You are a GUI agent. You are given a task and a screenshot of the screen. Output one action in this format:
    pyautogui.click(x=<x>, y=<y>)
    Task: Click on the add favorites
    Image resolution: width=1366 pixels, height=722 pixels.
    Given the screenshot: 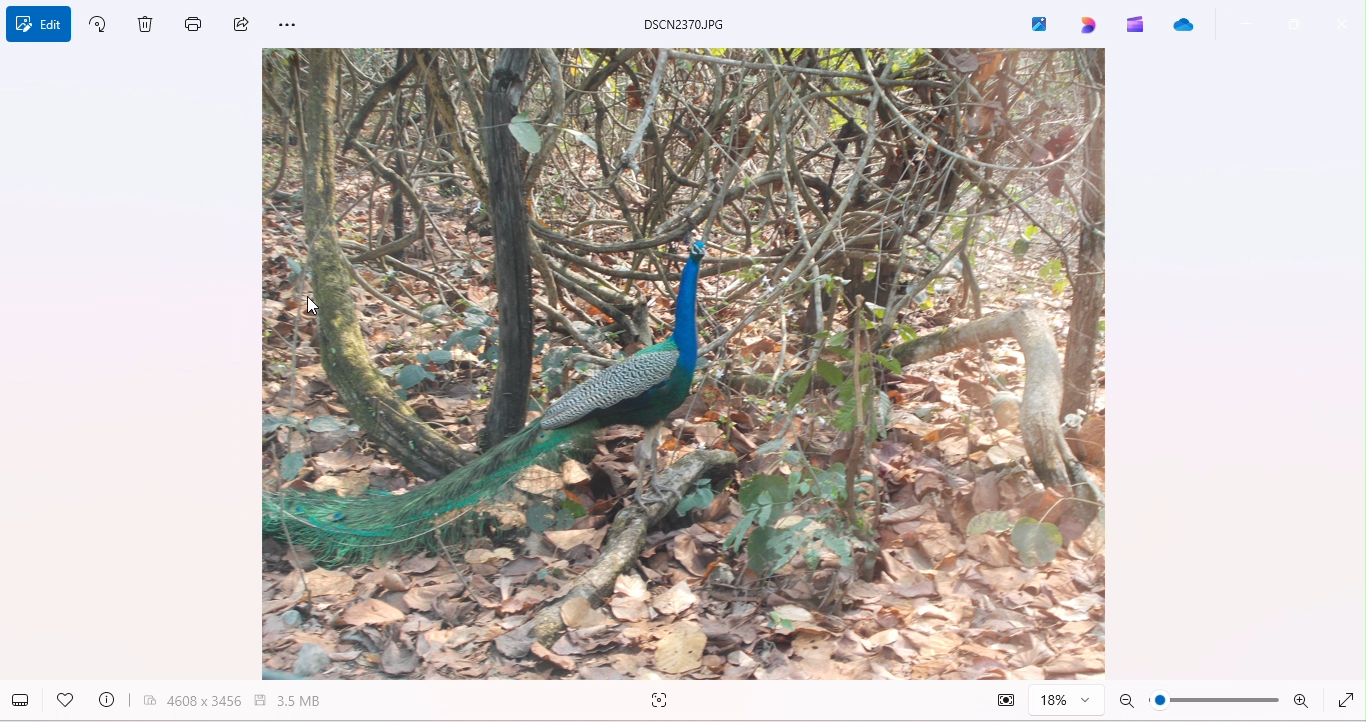 What is the action you would take?
    pyautogui.click(x=66, y=699)
    